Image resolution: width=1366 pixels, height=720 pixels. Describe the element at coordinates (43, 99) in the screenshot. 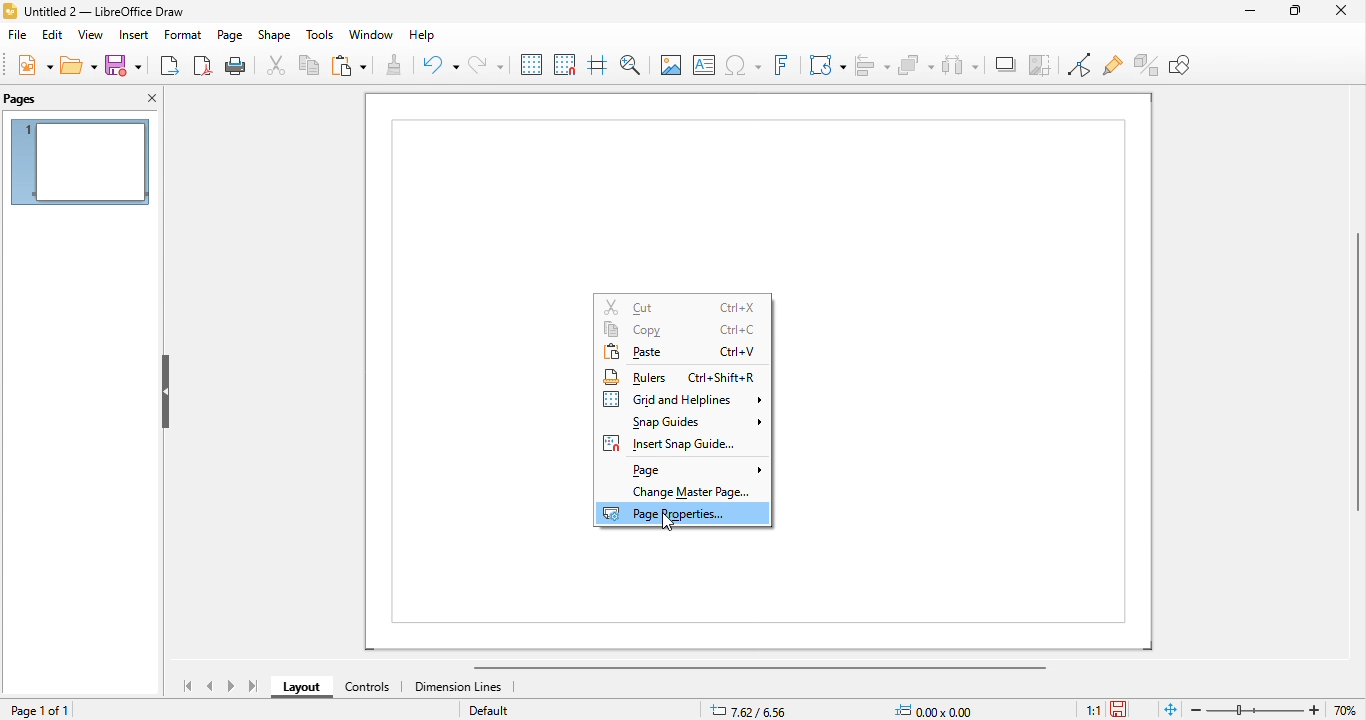

I see `pages` at that location.